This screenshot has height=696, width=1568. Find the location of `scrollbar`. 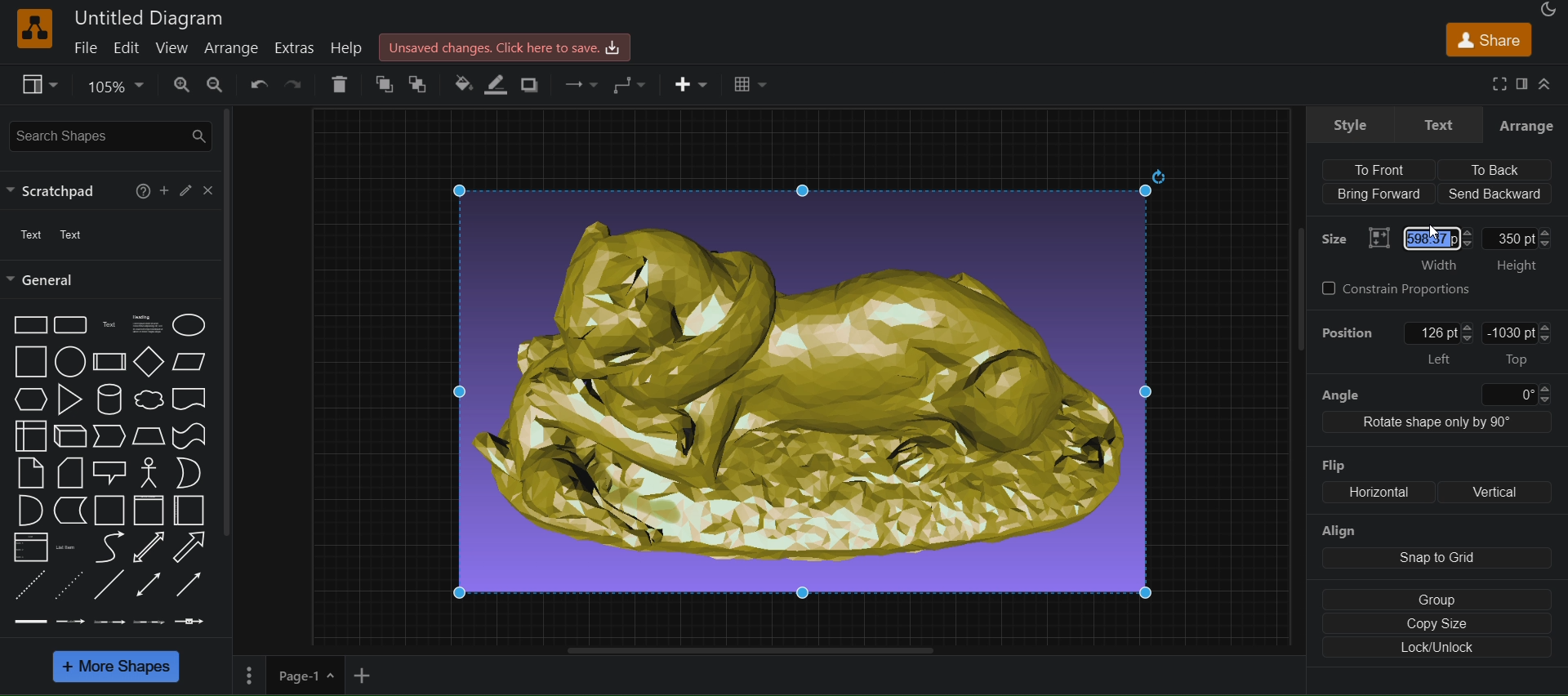

scrollbar is located at coordinates (1296, 289).